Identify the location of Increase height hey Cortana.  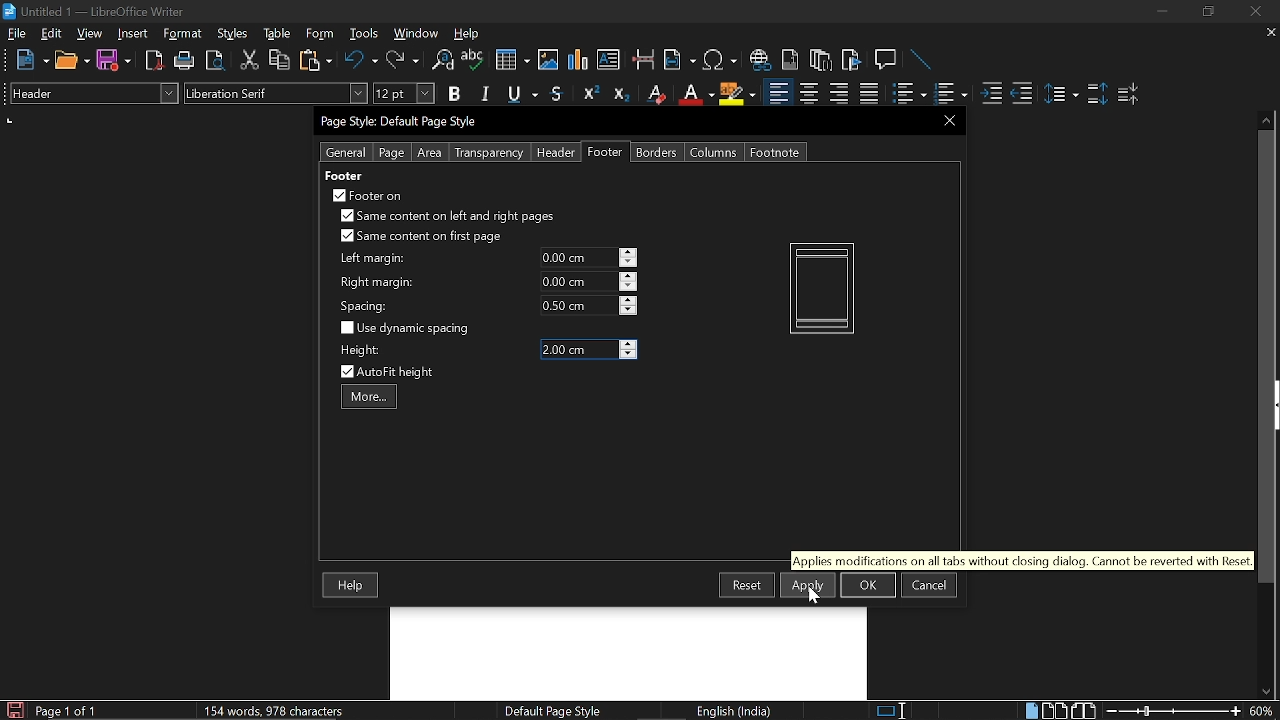
(628, 343).